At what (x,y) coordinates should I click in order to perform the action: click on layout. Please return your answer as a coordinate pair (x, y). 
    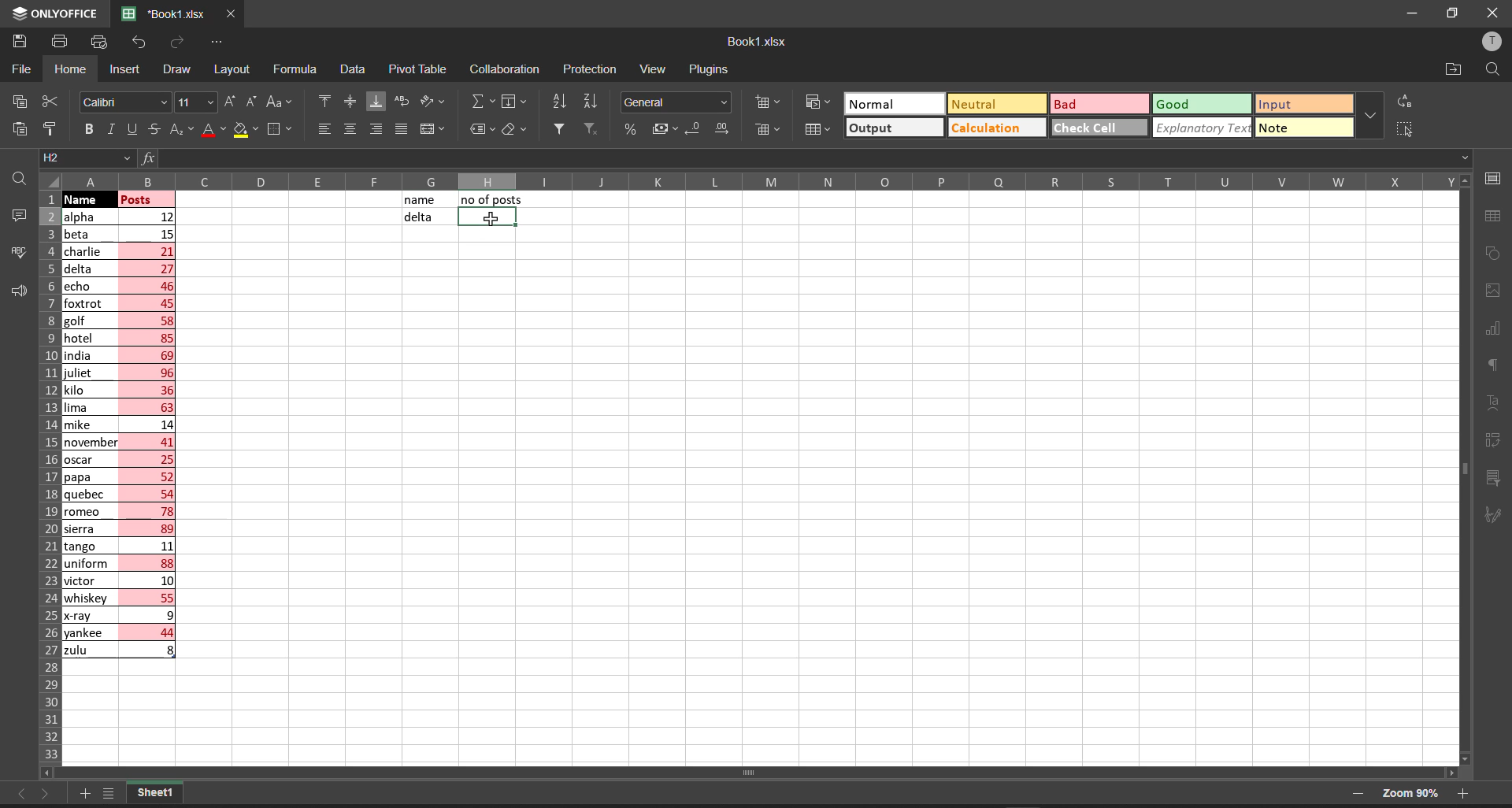
    Looking at the image, I should click on (234, 70).